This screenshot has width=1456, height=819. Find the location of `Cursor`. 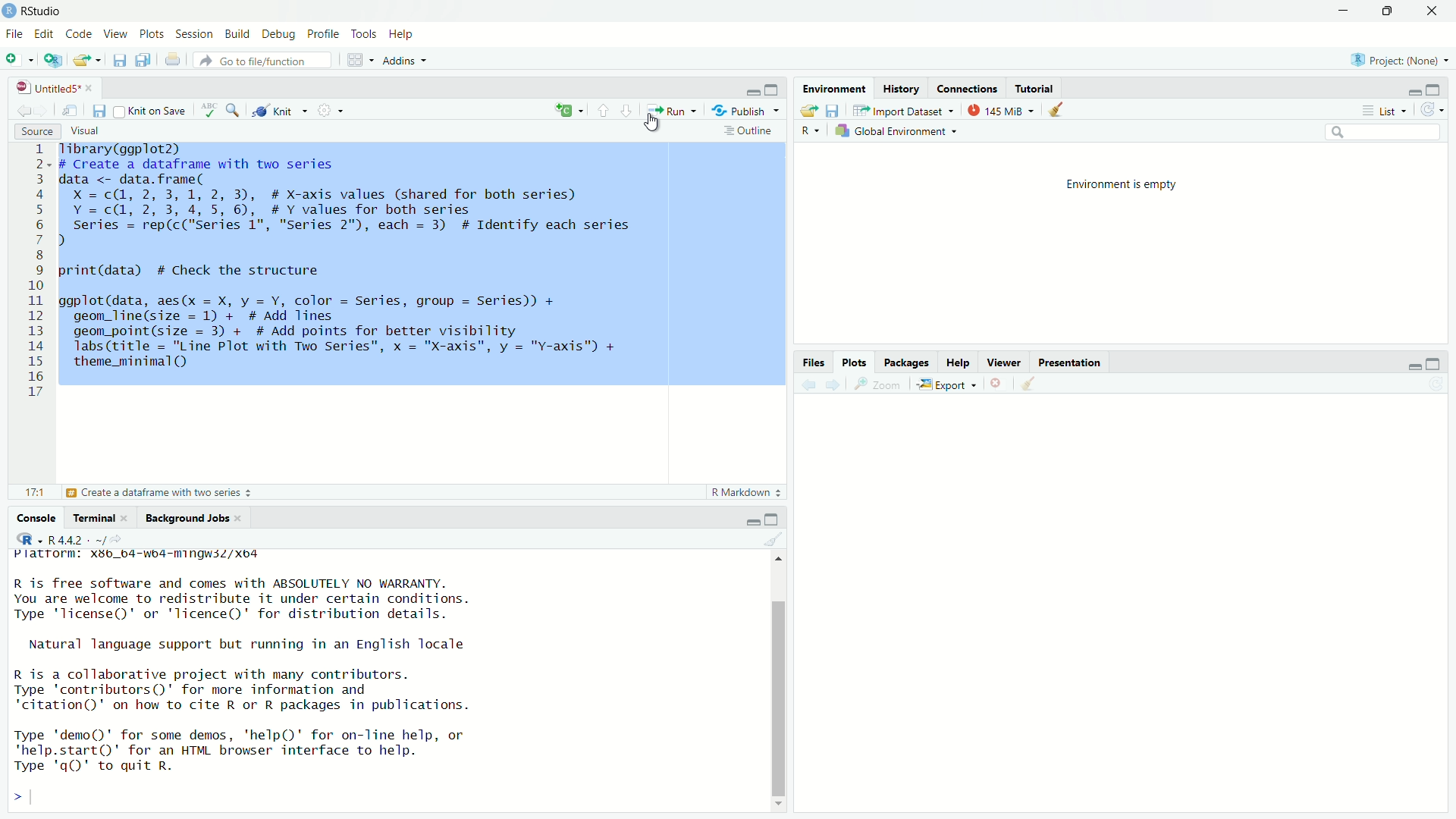

Cursor is located at coordinates (654, 124).